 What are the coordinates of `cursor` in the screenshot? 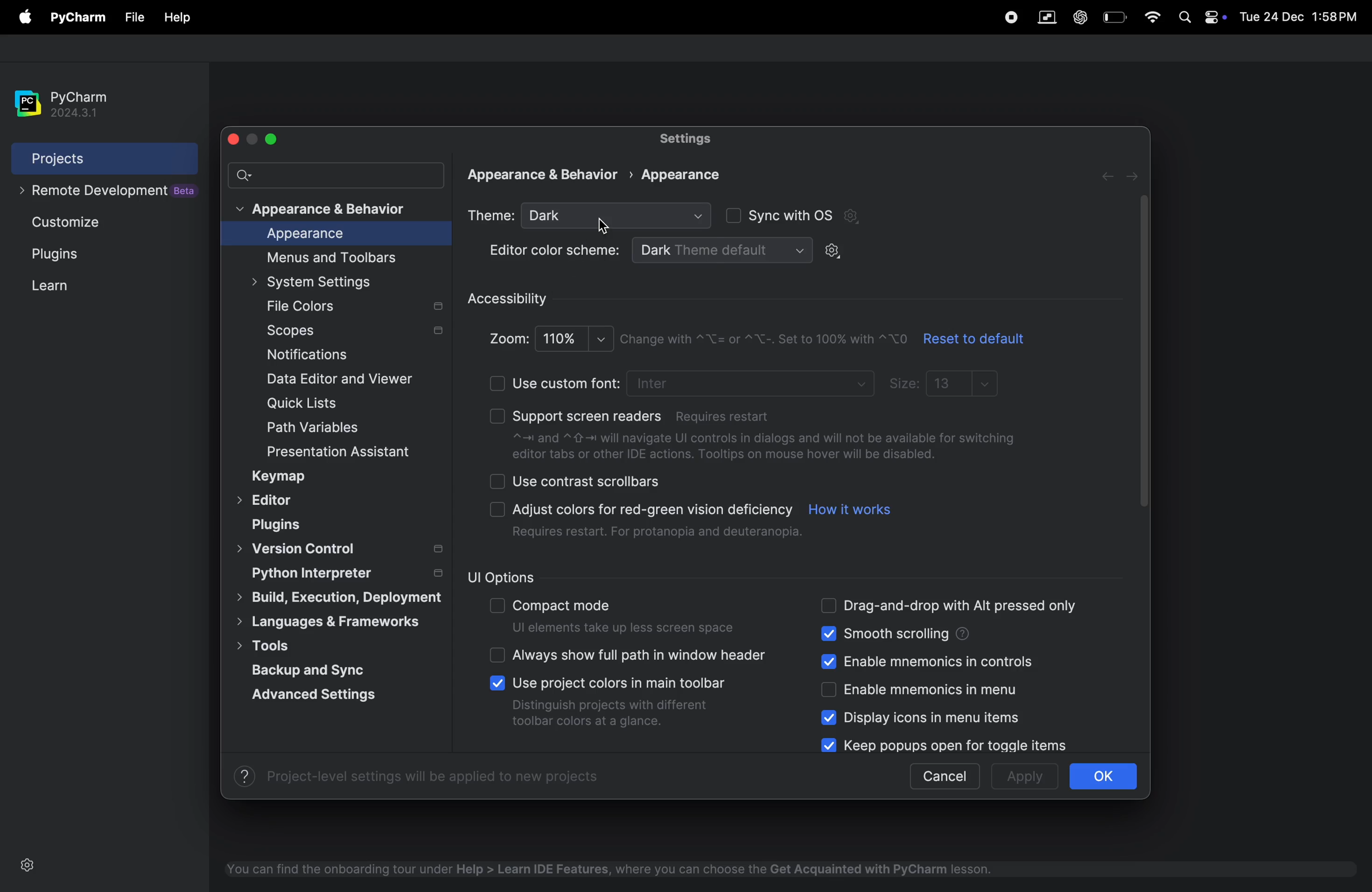 It's located at (612, 225).